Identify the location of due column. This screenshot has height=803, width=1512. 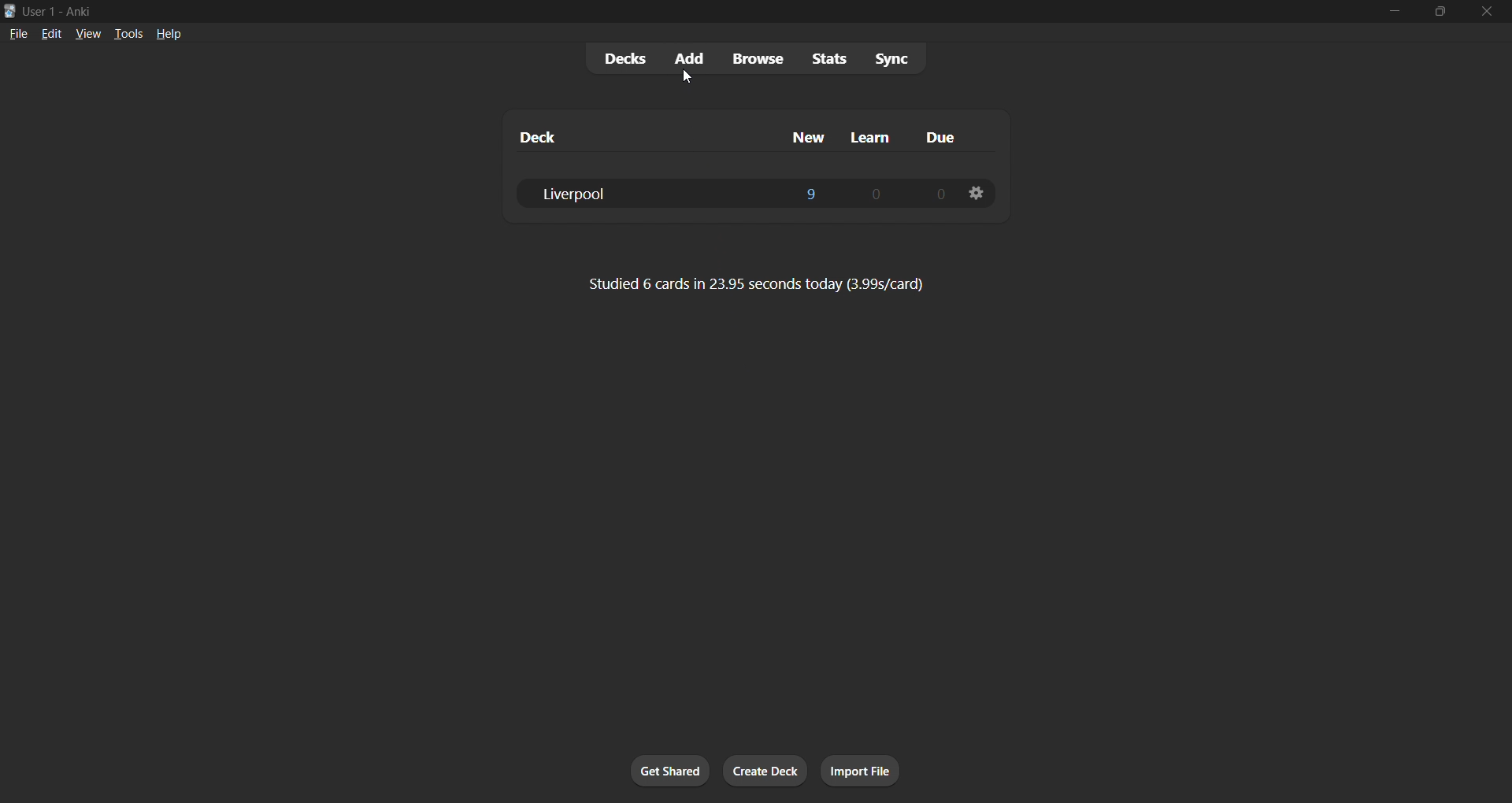
(946, 134).